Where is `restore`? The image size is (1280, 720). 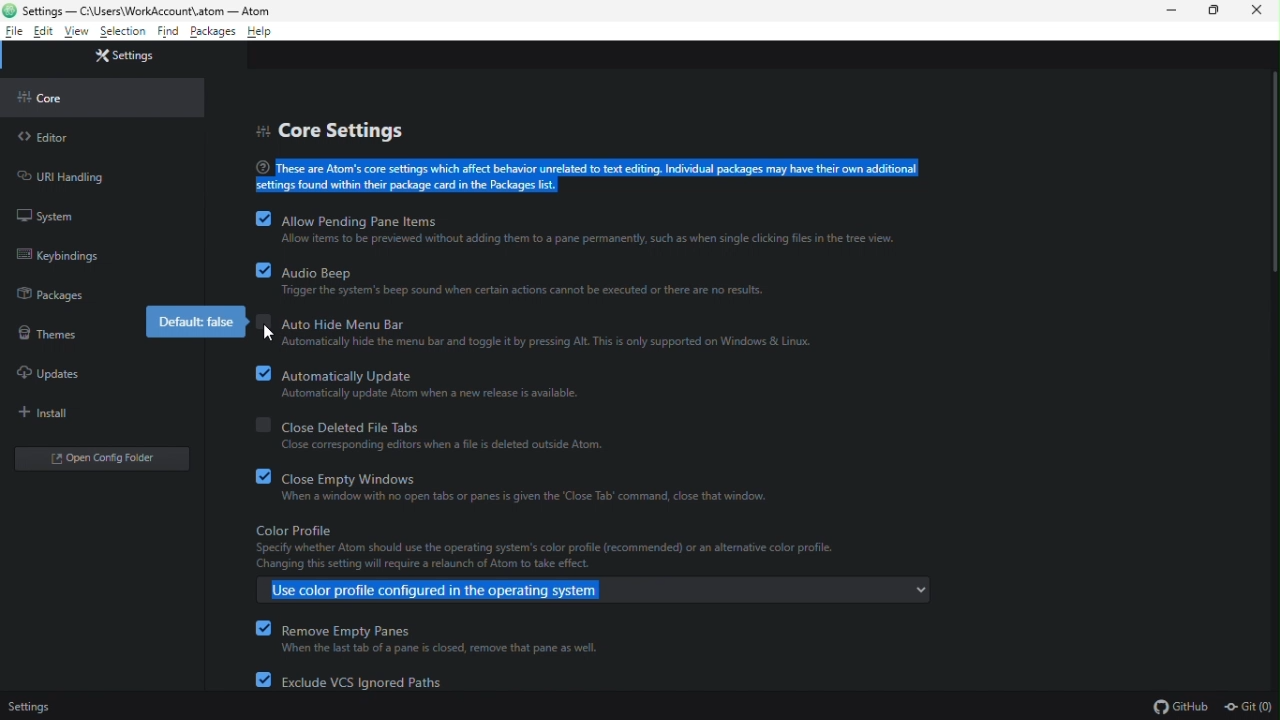
restore is located at coordinates (1214, 11).